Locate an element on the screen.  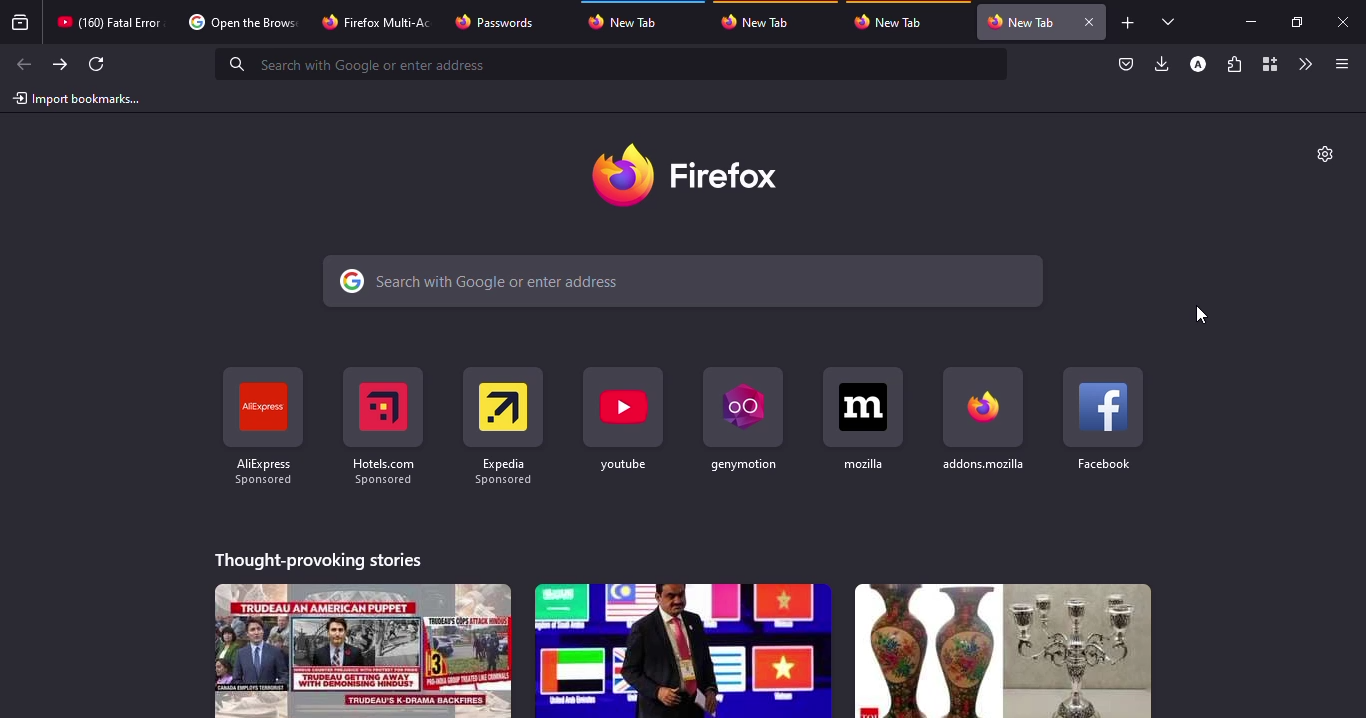
options is located at coordinates (1339, 64).